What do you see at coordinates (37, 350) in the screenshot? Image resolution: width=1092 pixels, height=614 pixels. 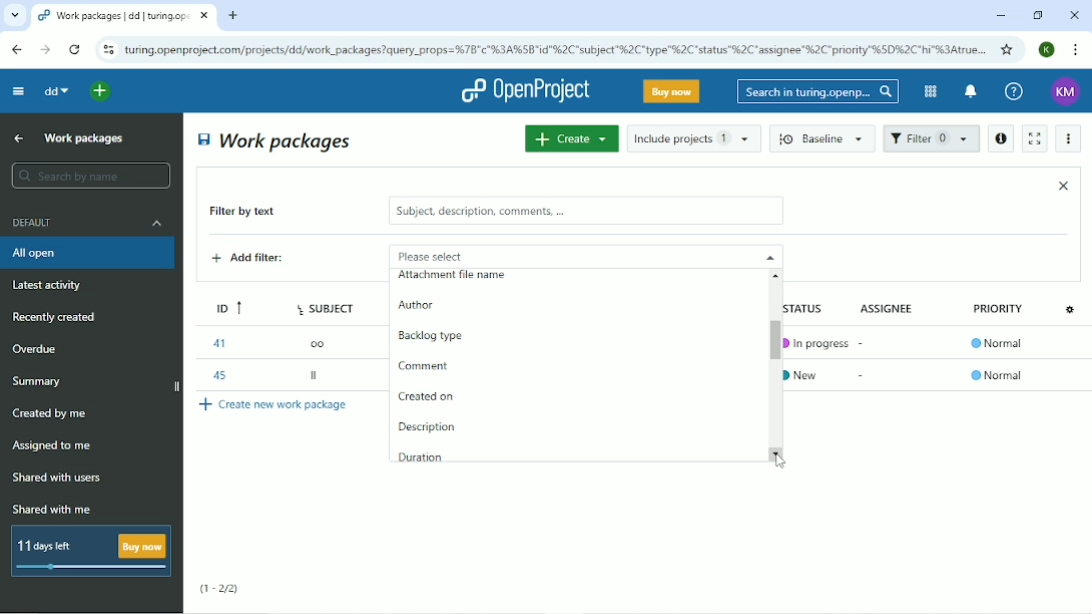 I see `Overdue` at bounding box center [37, 350].